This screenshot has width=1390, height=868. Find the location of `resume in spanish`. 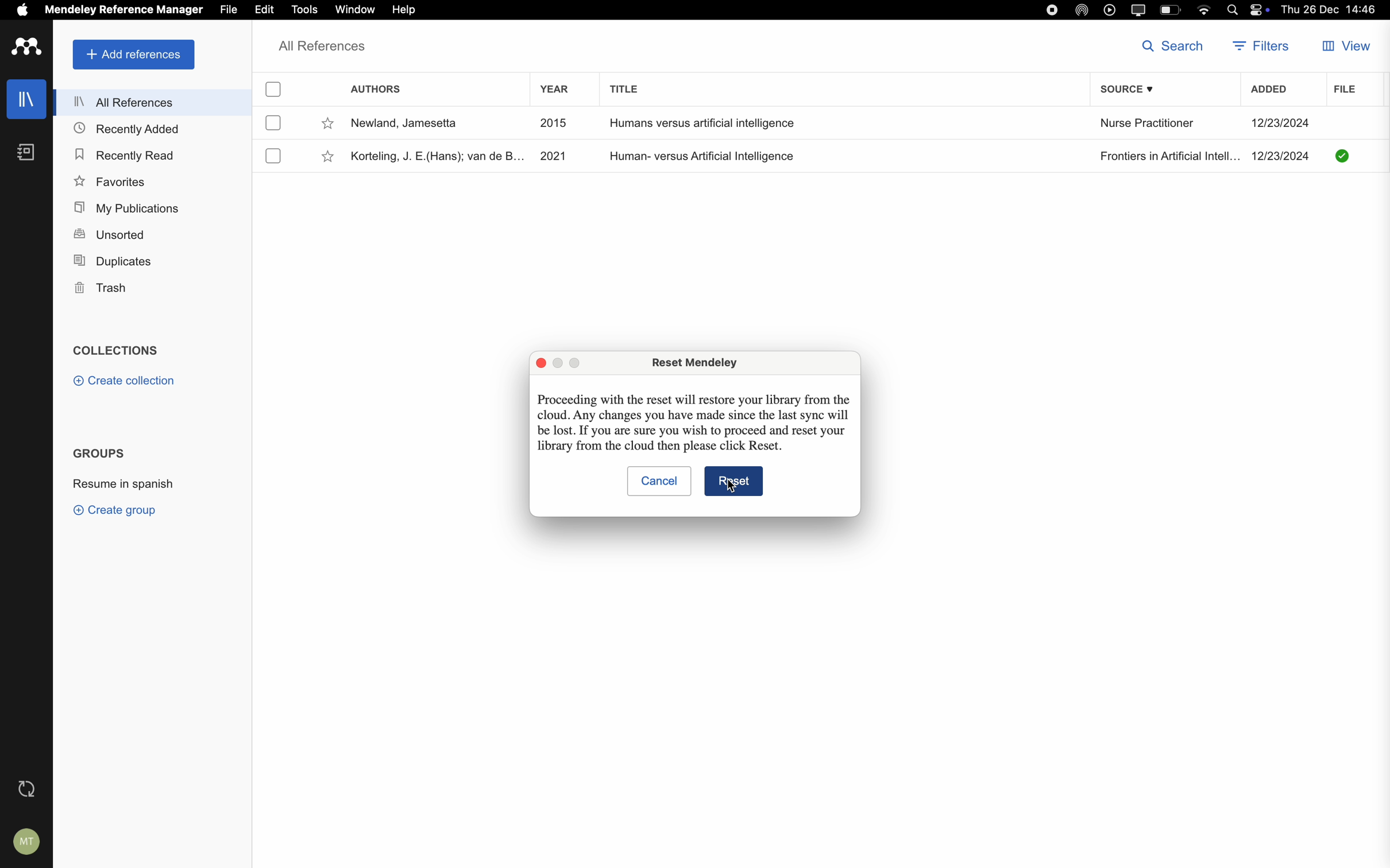

resume in spanish is located at coordinates (123, 481).